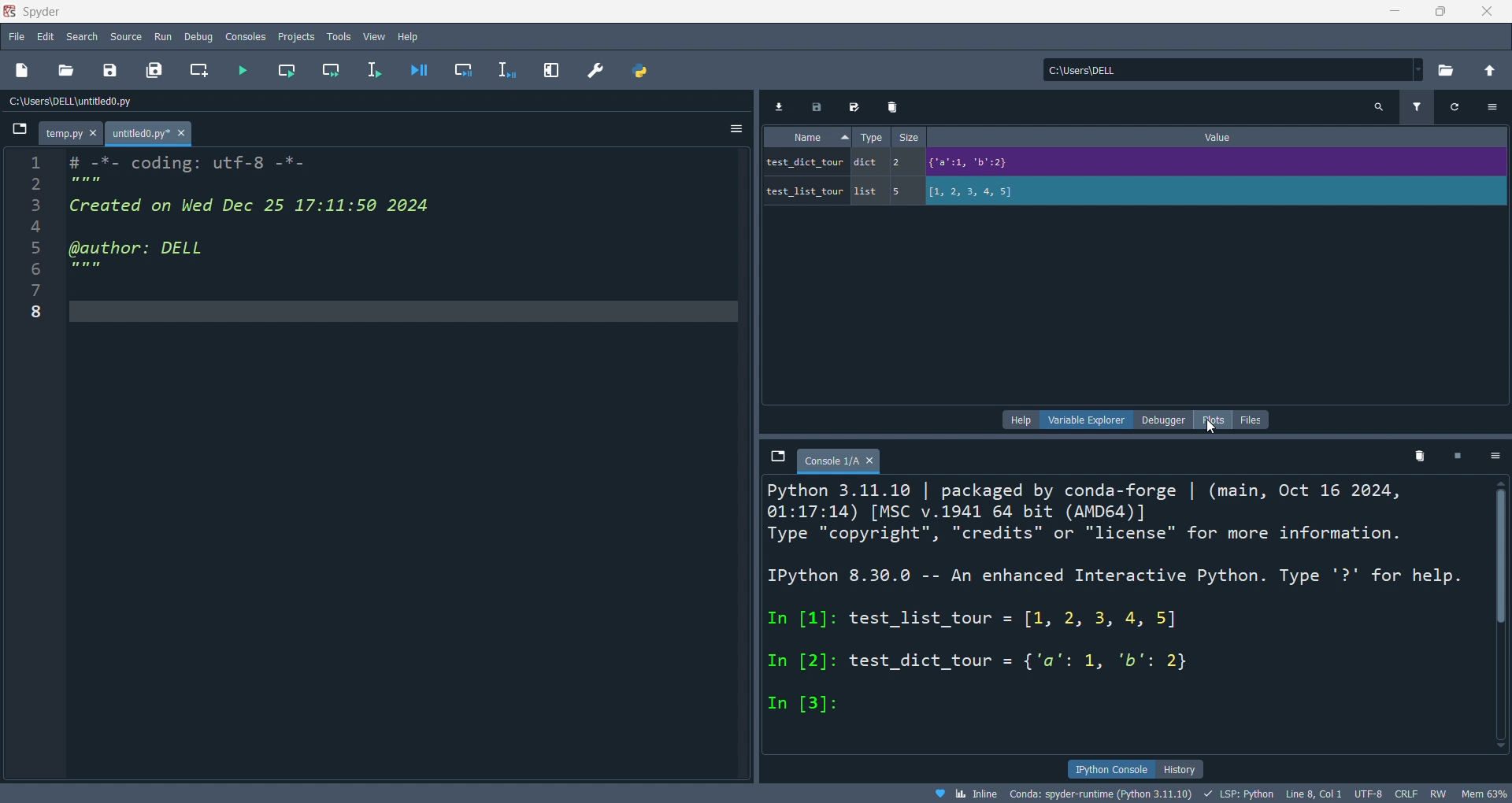 The width and height of the screenshot is (1512, 803). Describe the element at coordinates (331, 68) in the screenshot. I see `run cell and move` at that location.